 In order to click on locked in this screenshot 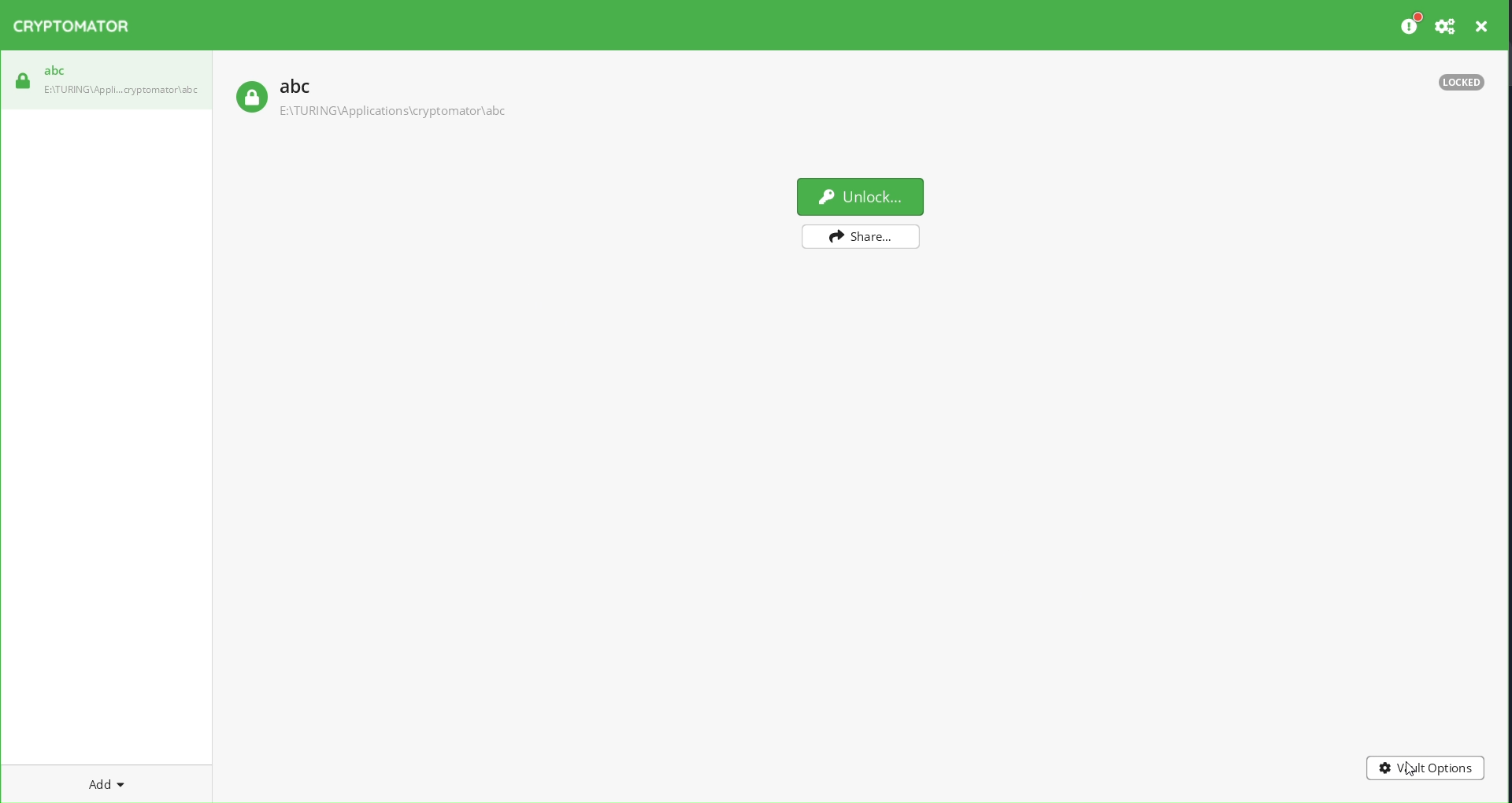, I will do `click(1459, 86)`.